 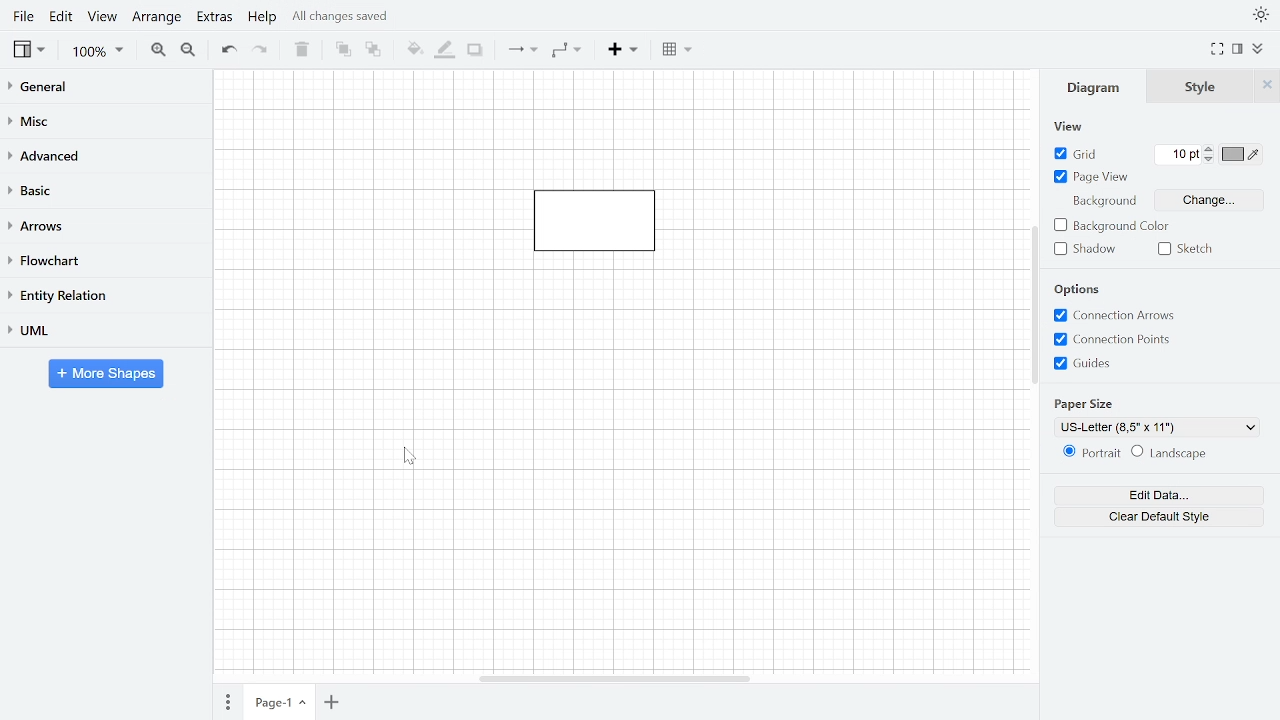 What do you see at coordinates (105, 225) in the screenshot?
I see `Arrows` at bounding box center [105, 225].